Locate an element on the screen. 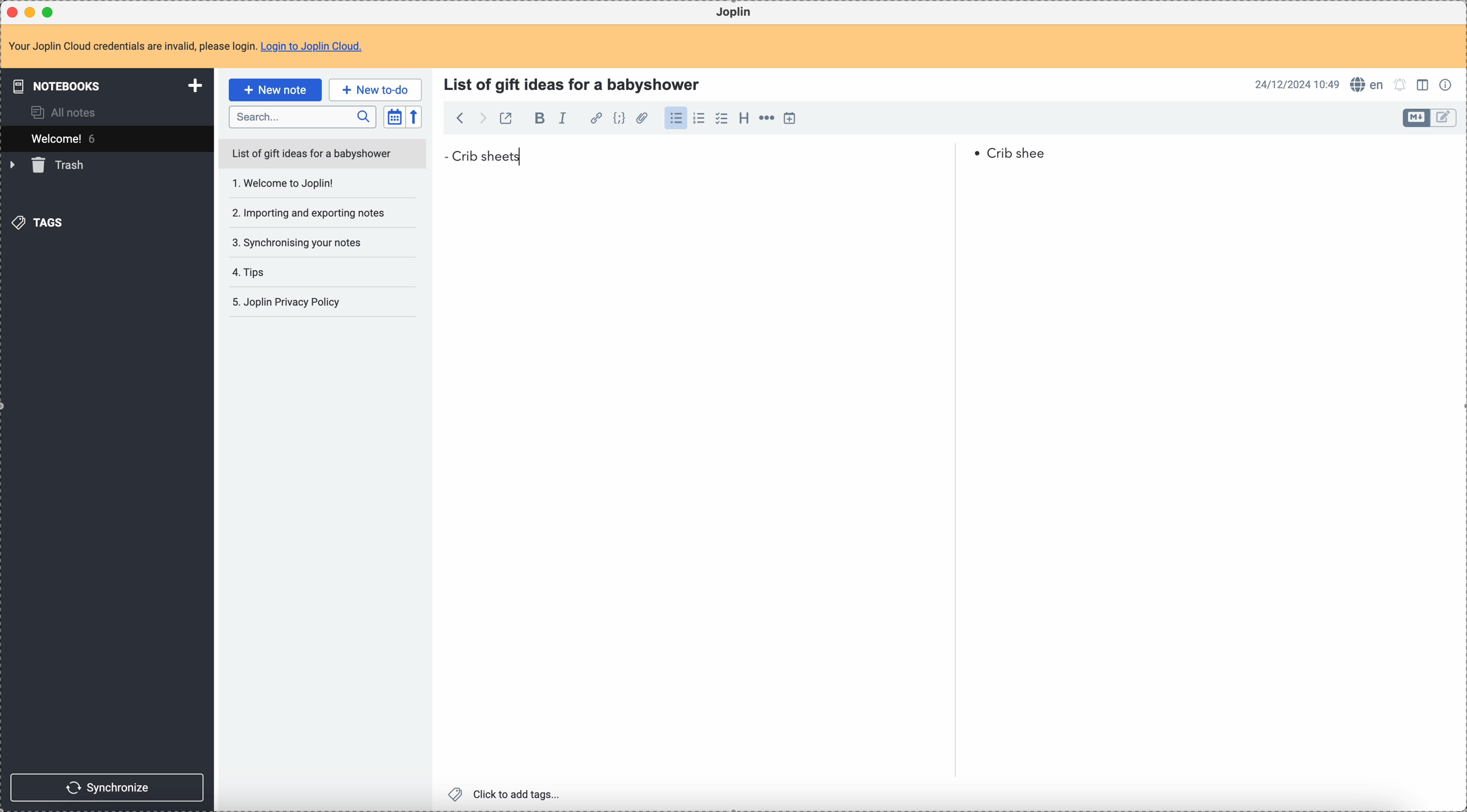 The width and height of the screenshot is (1467, 812). insert time is located at coordinates (793, 118).